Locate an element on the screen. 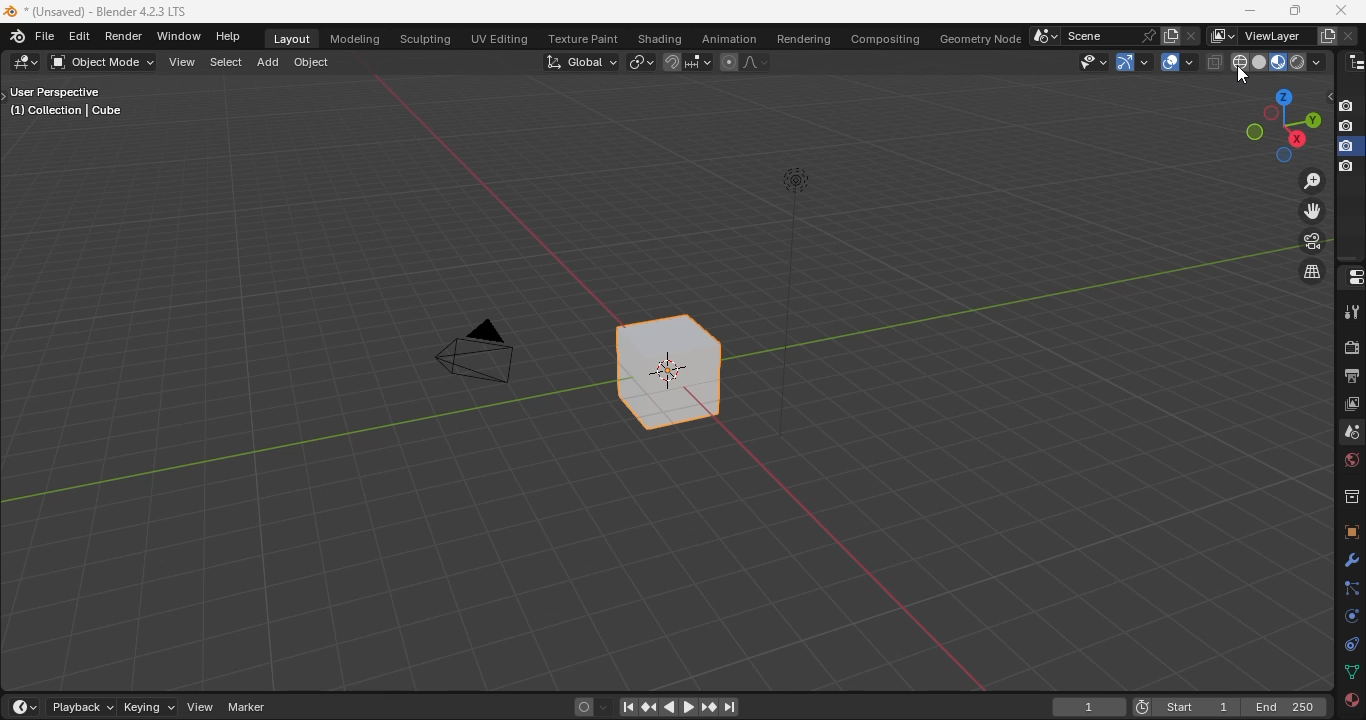 The image size is (1366, 720). object is located at coordinates (314, 62).